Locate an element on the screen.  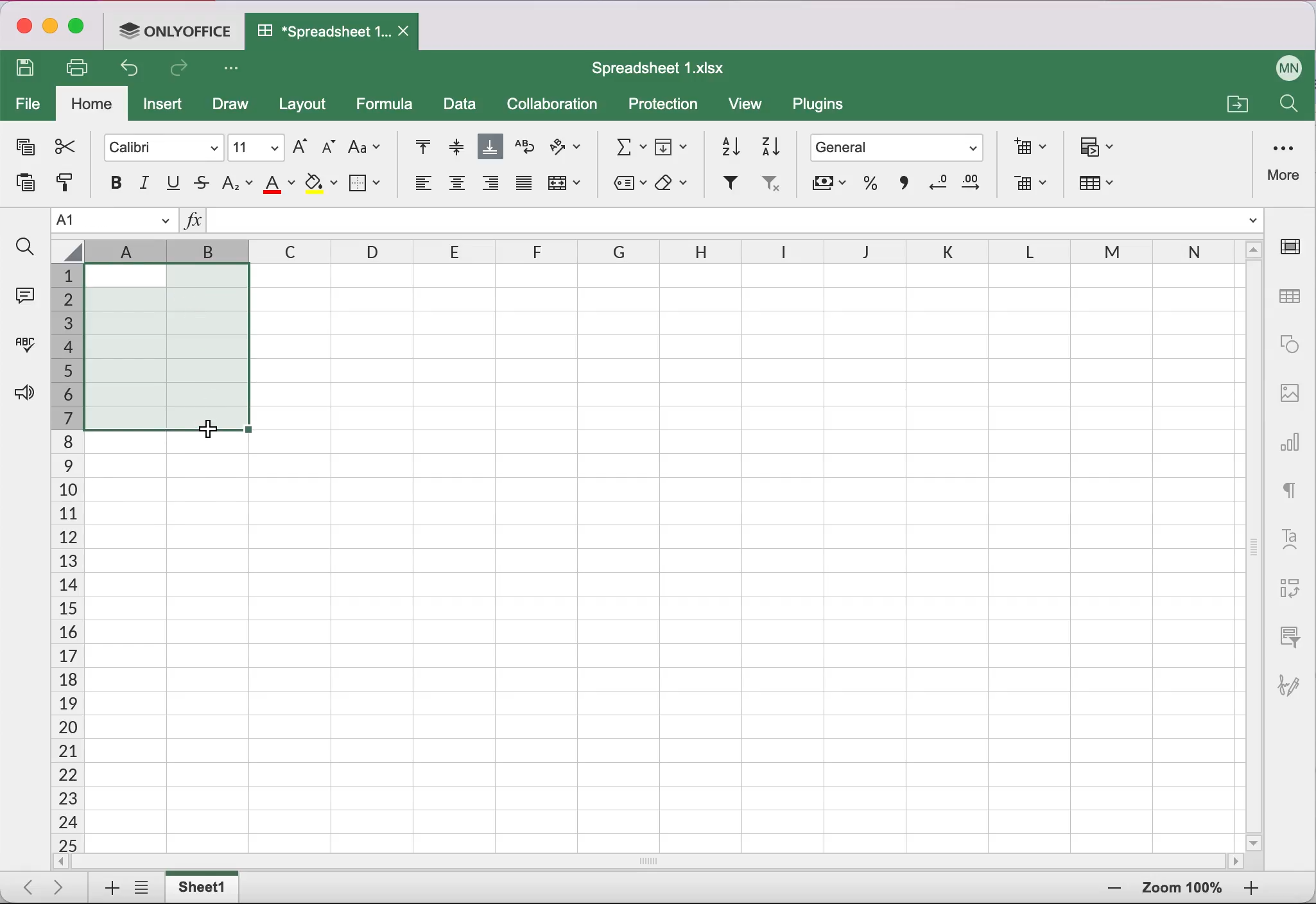
Insert function is located at coordinates (193, 223).